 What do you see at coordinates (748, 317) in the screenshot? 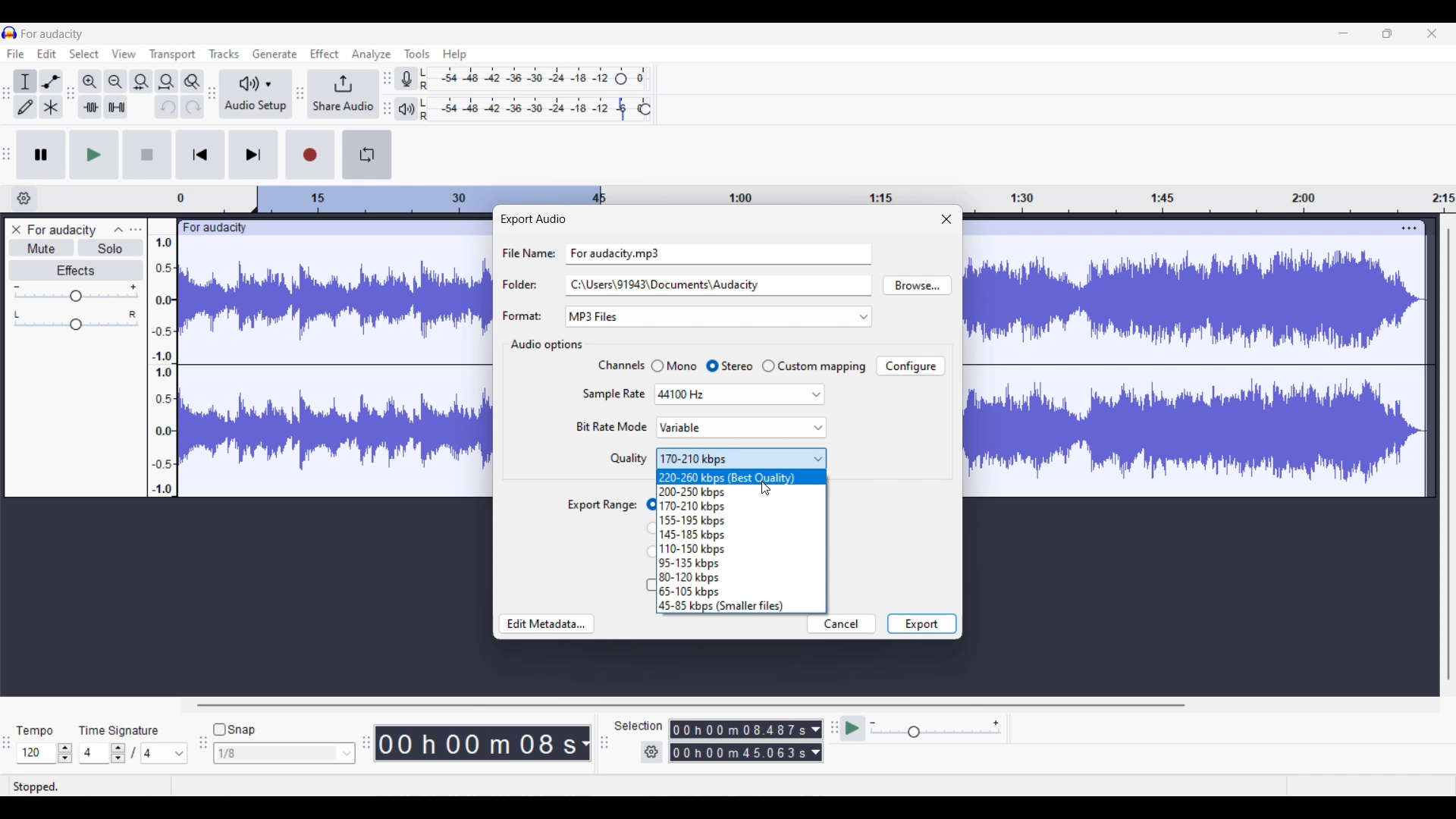
I see `Format options to choose from` at bounding box center [748, 317].